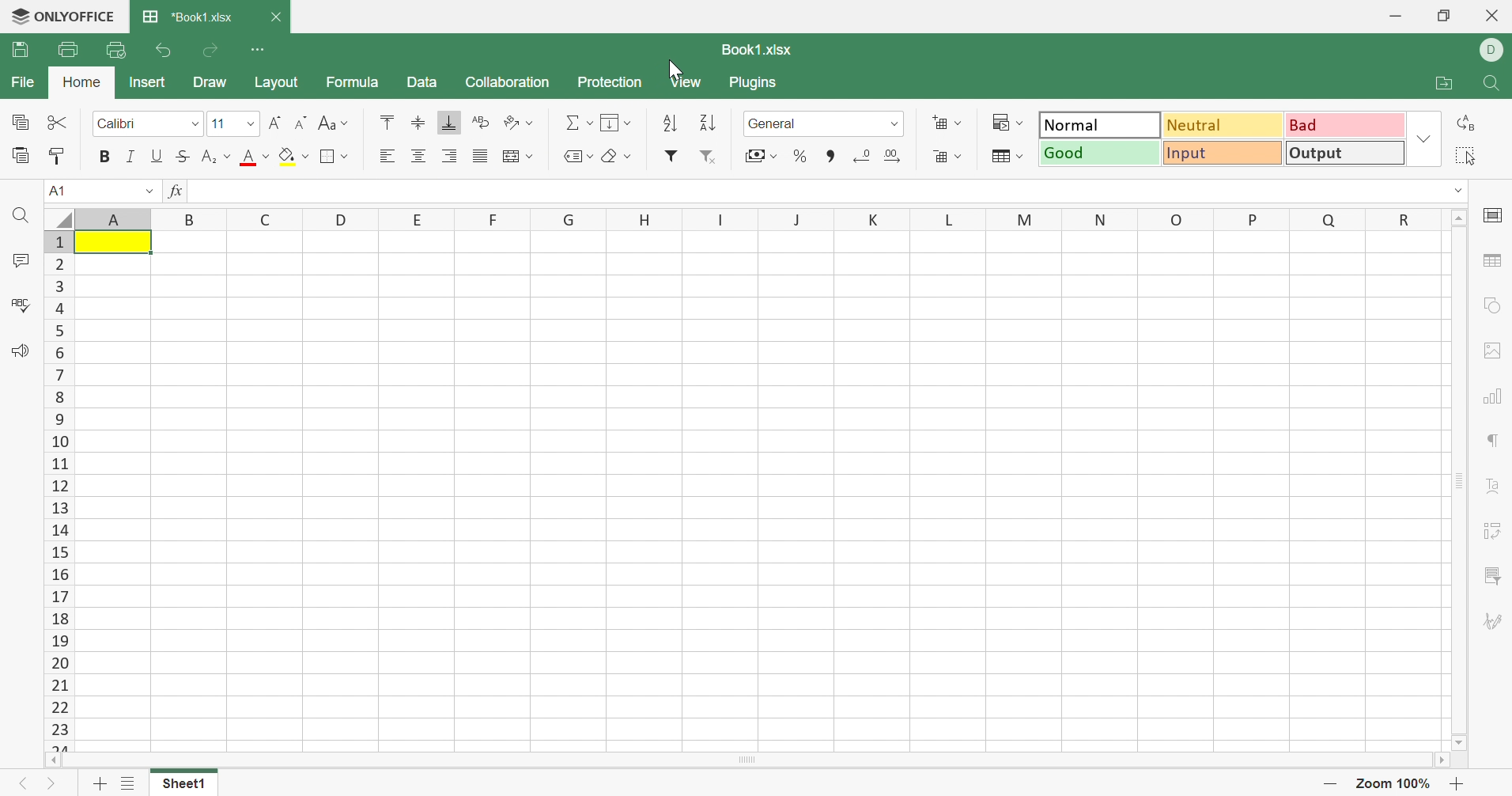 This screenshot has width=1512, height=796. What do you see at coordinates (1492, 261) in the screenshot?
I see `Table settings` at bounding box center [1492, 261].